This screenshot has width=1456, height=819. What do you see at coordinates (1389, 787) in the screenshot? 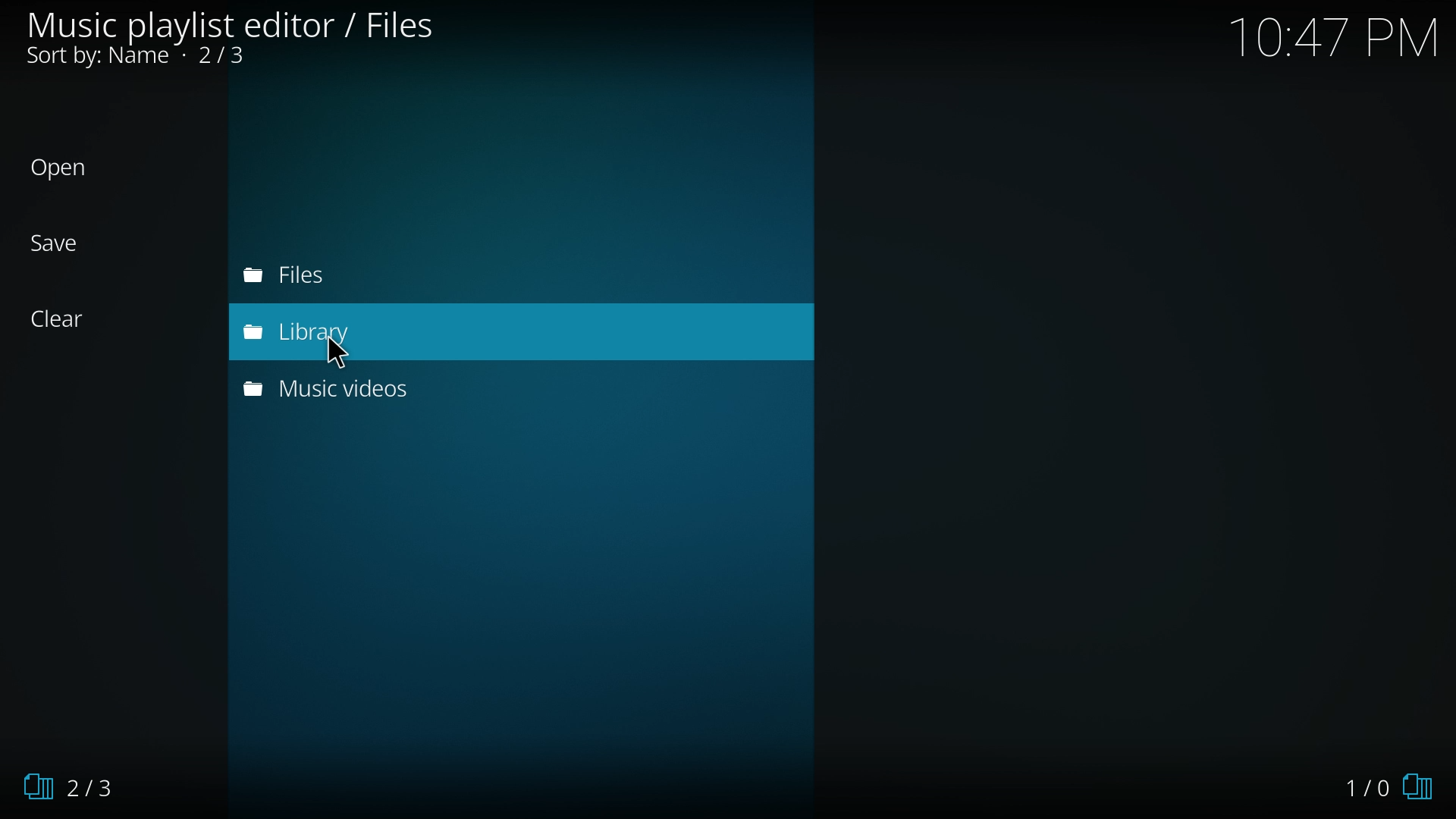
I see `1/0` at bounding box center [1389, 787].